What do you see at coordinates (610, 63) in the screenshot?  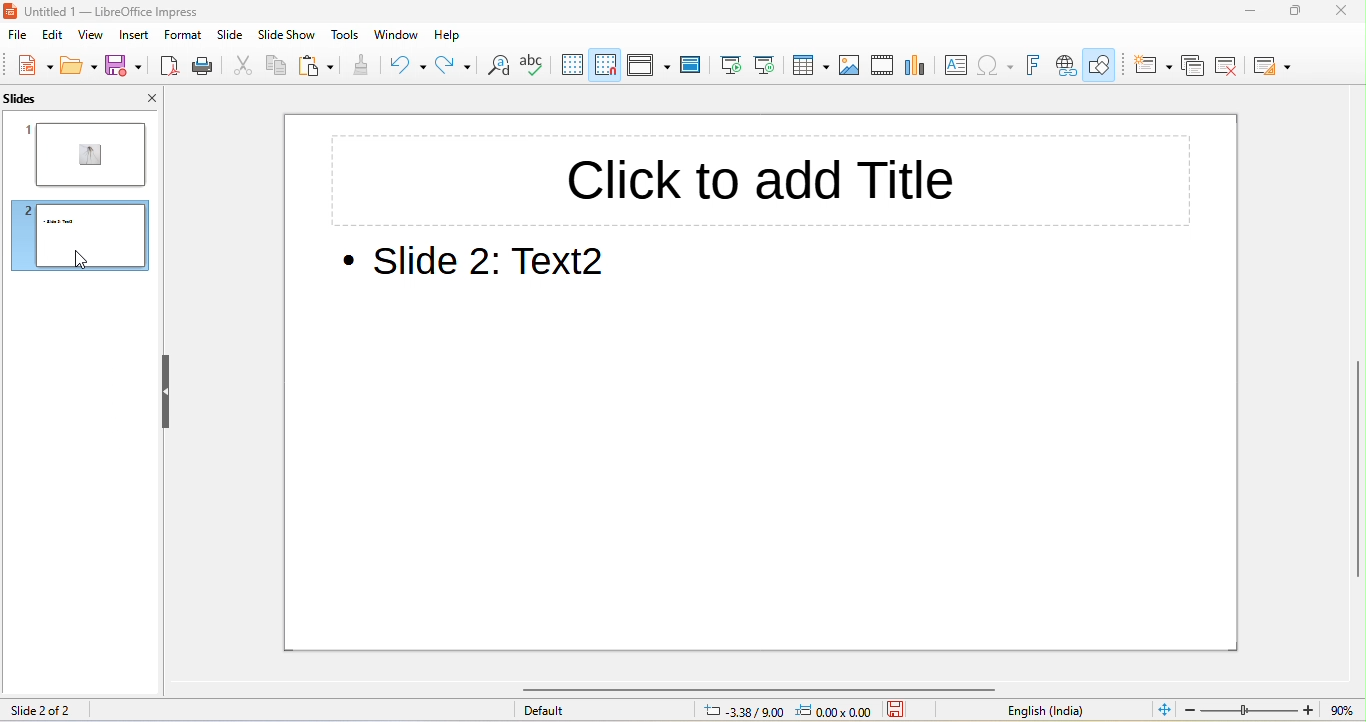 I see `snap to grid` at bounding box center [610, 63].